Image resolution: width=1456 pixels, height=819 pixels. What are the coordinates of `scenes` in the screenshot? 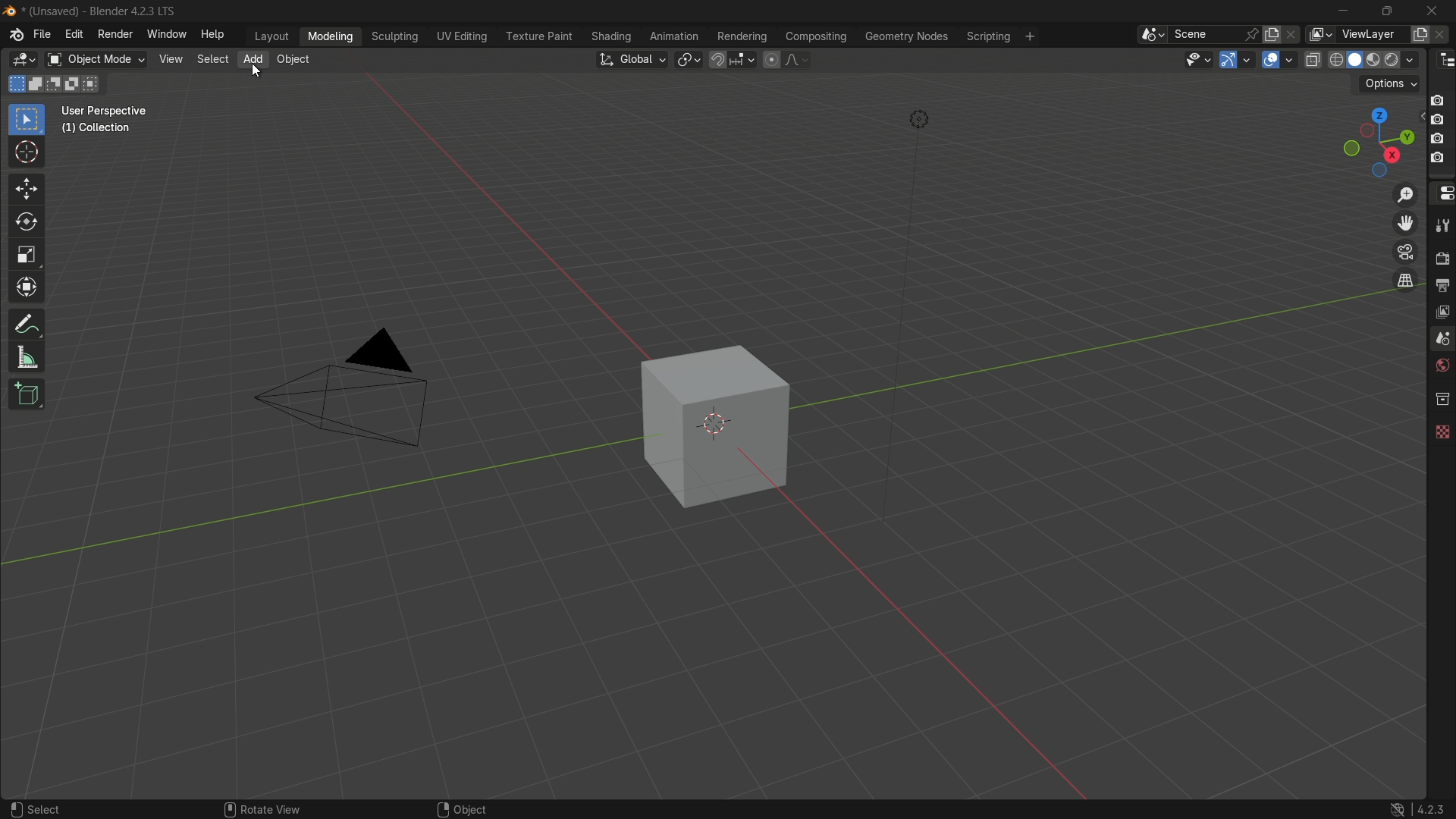 It's located at (1442, 337).